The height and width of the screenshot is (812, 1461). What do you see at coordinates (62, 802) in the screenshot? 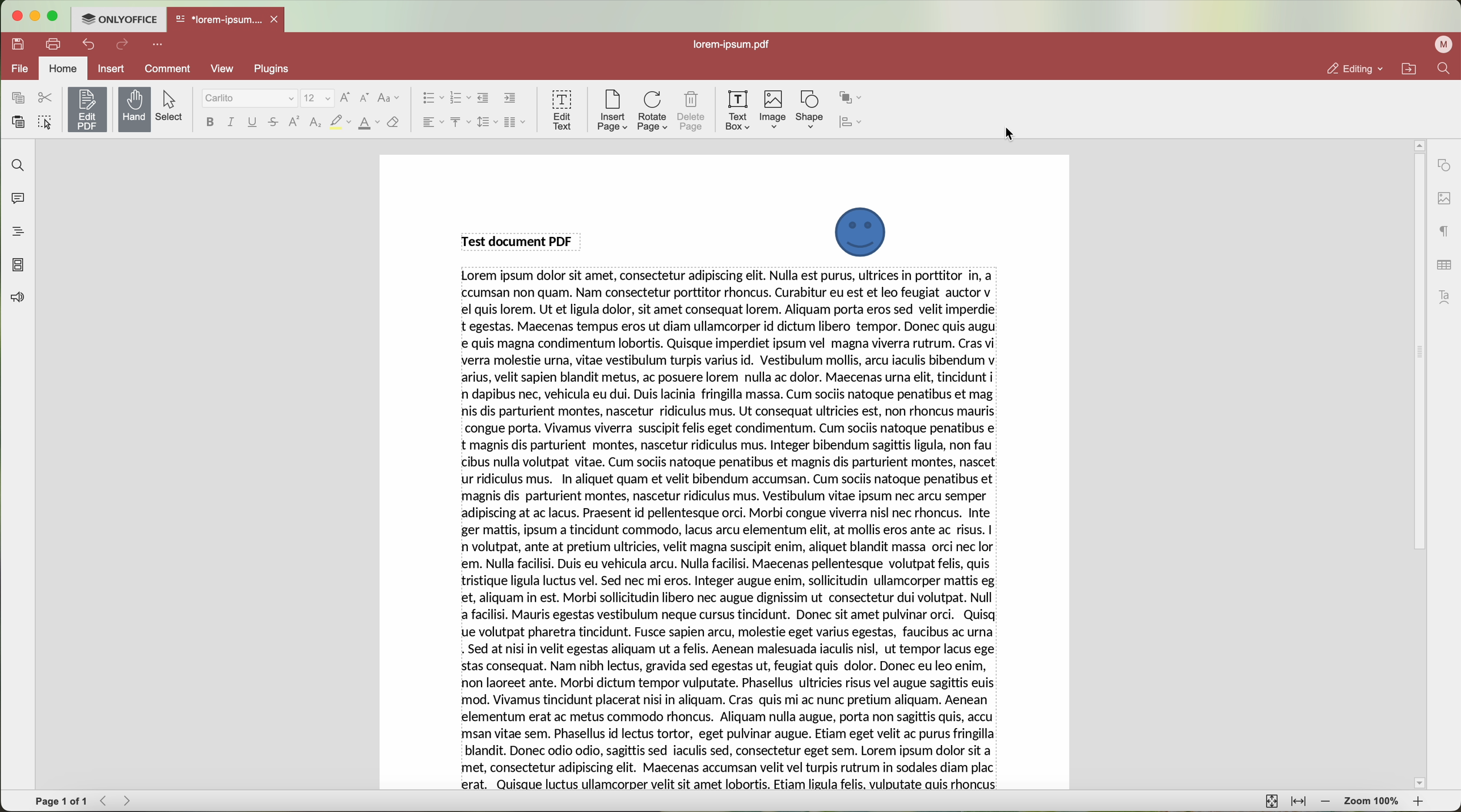
I see `page 1 of 1` at bounding box center [62, 802].